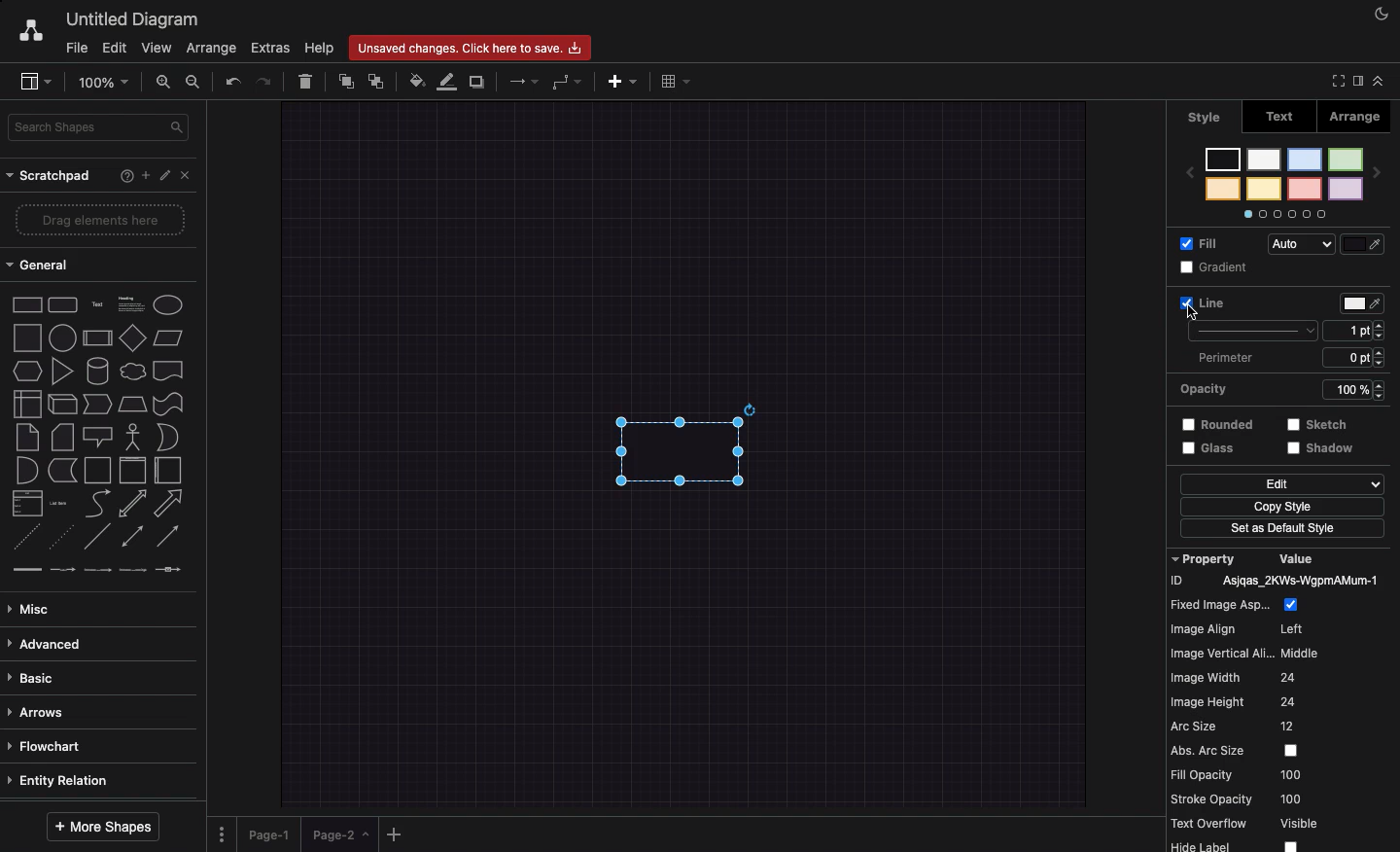 Image resolution: width=1400 pixels, height=852 pixels. I want to click on horizontal container, so click(166, 471).